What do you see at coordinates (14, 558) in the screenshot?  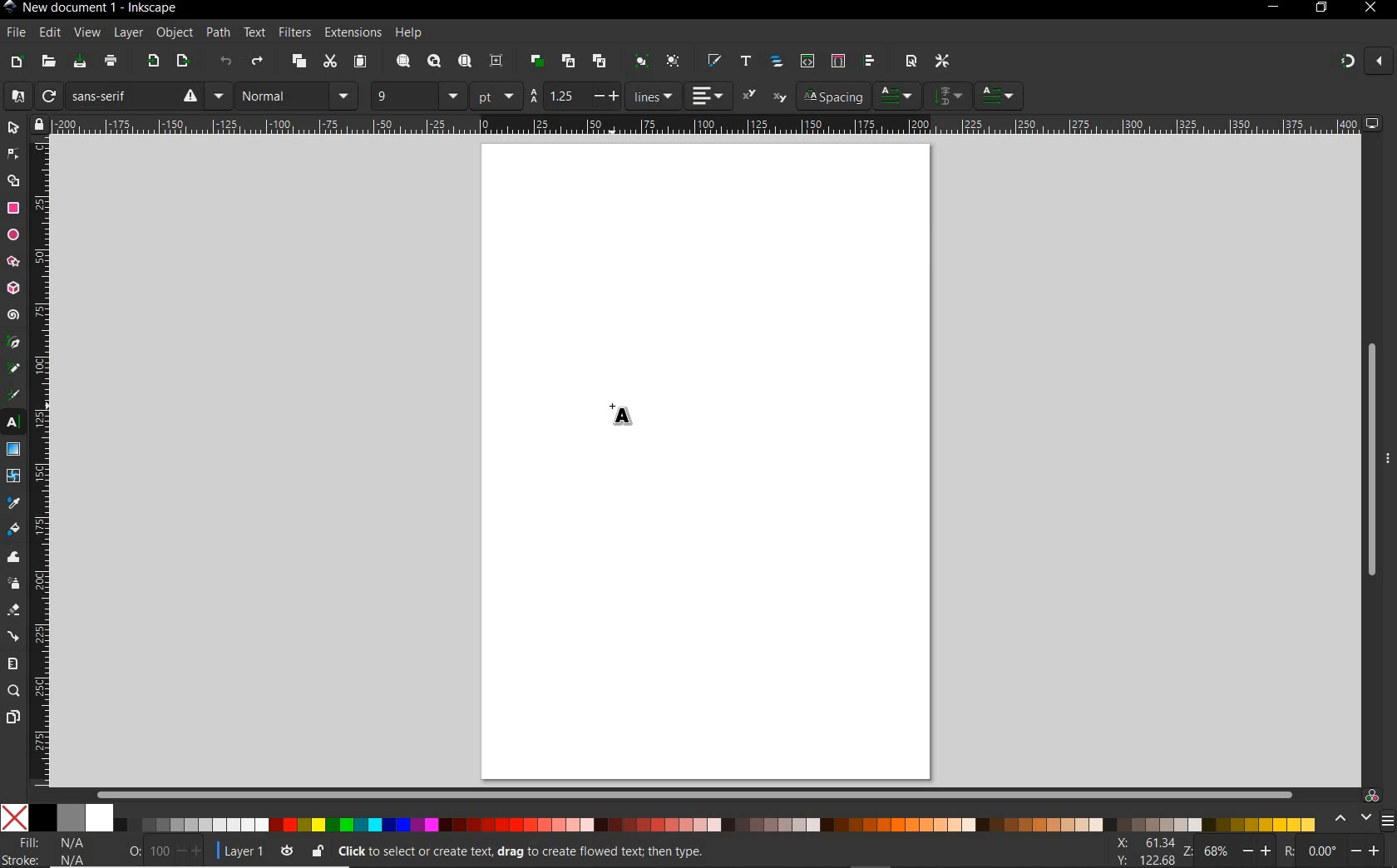 I see `tweak tool` at bounding box center [14, 558].